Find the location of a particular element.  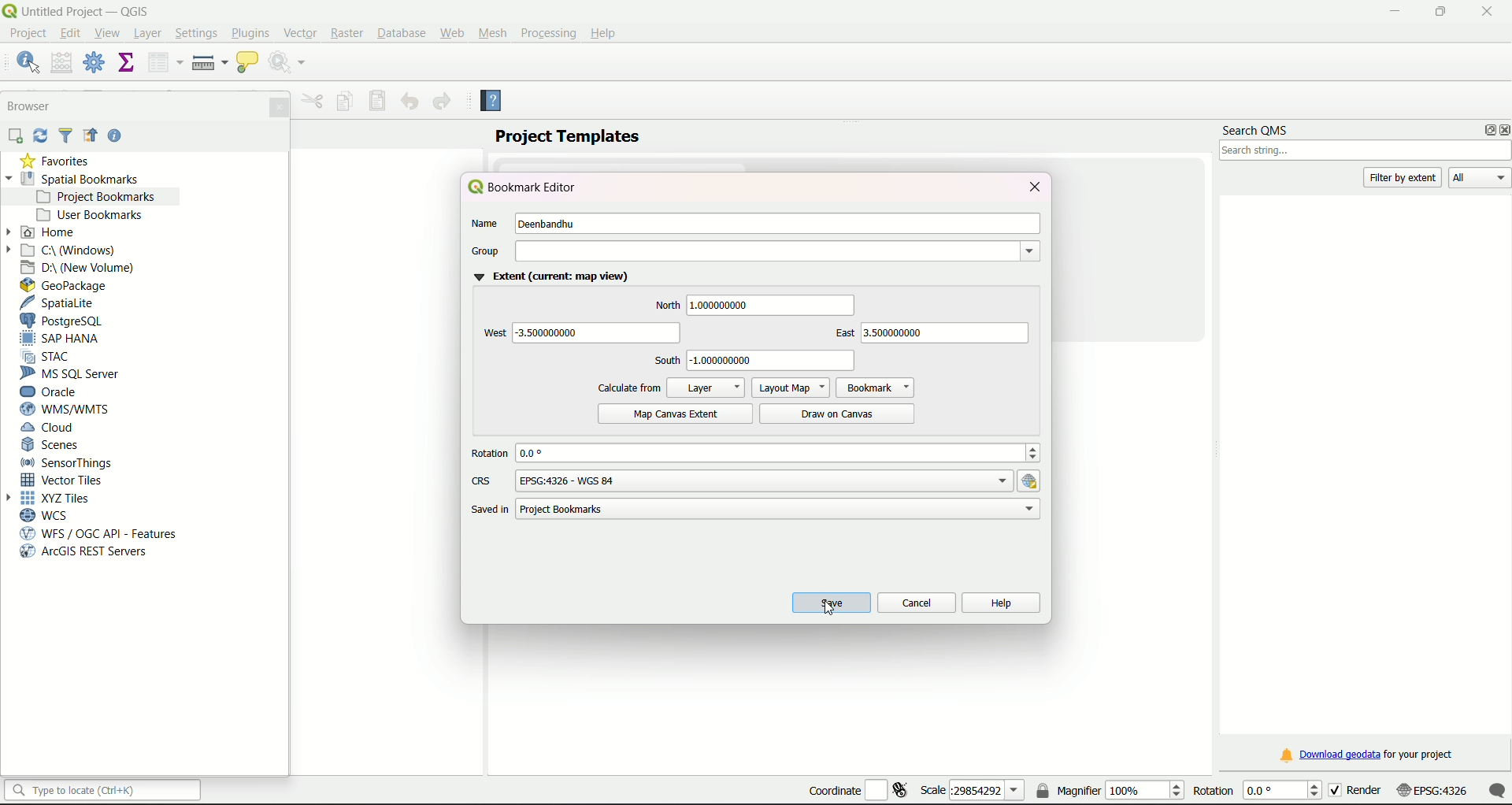

close is located at coordinates (1486, 10).